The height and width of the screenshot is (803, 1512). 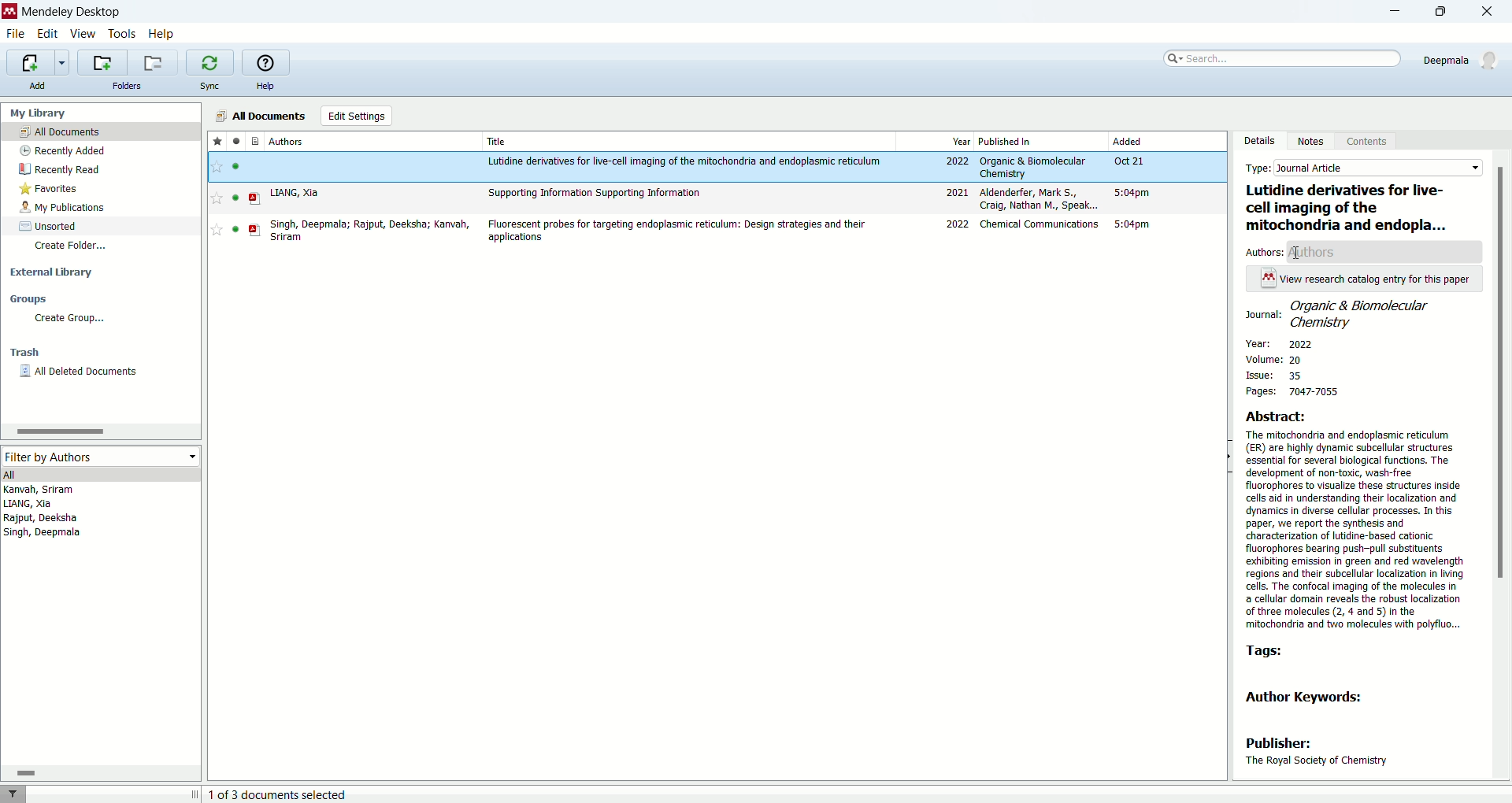 I want to click on notes, so click(x=1310, y=144).